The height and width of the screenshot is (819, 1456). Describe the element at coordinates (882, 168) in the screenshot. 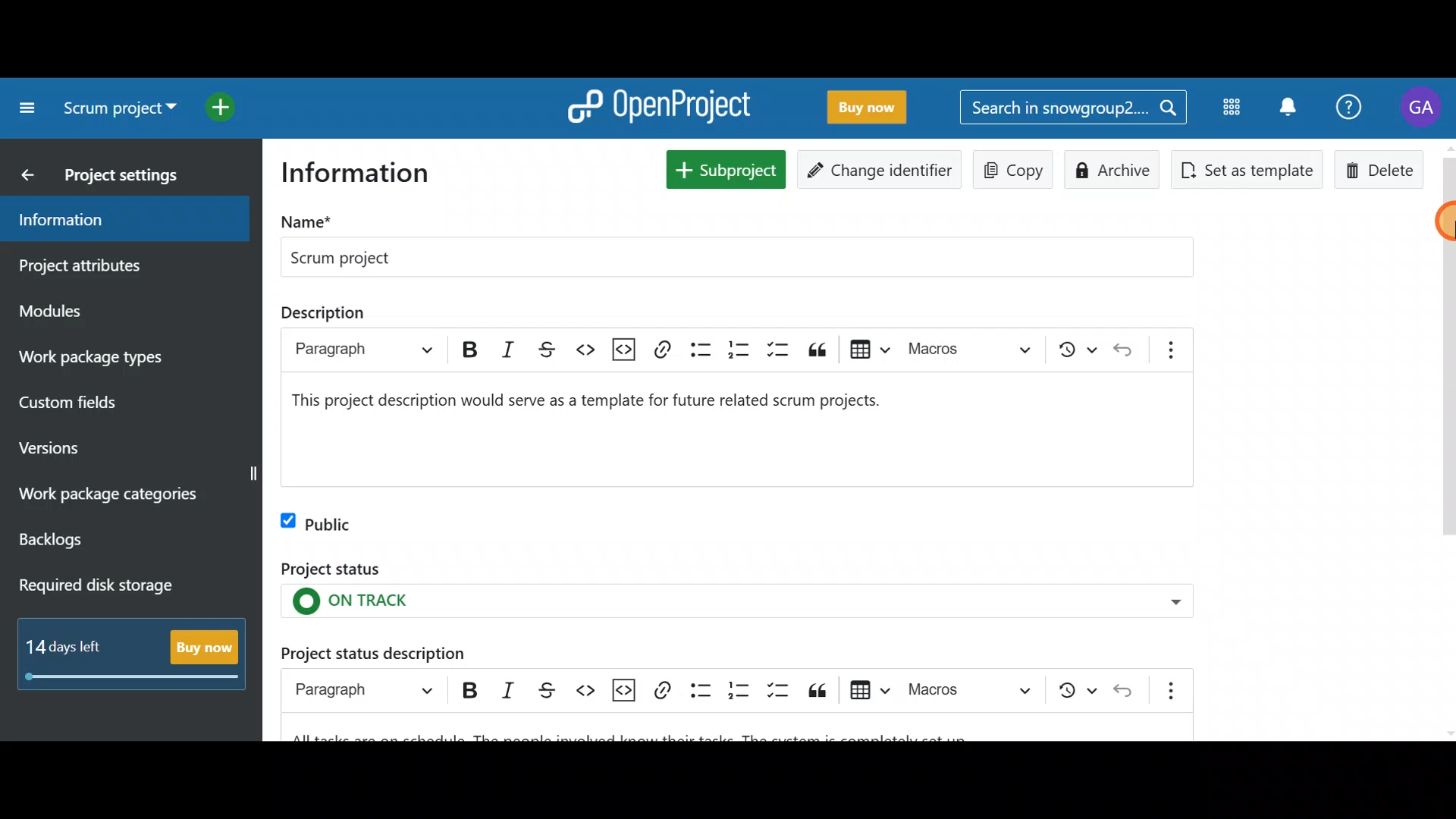

I see `Change identifier` at that location.